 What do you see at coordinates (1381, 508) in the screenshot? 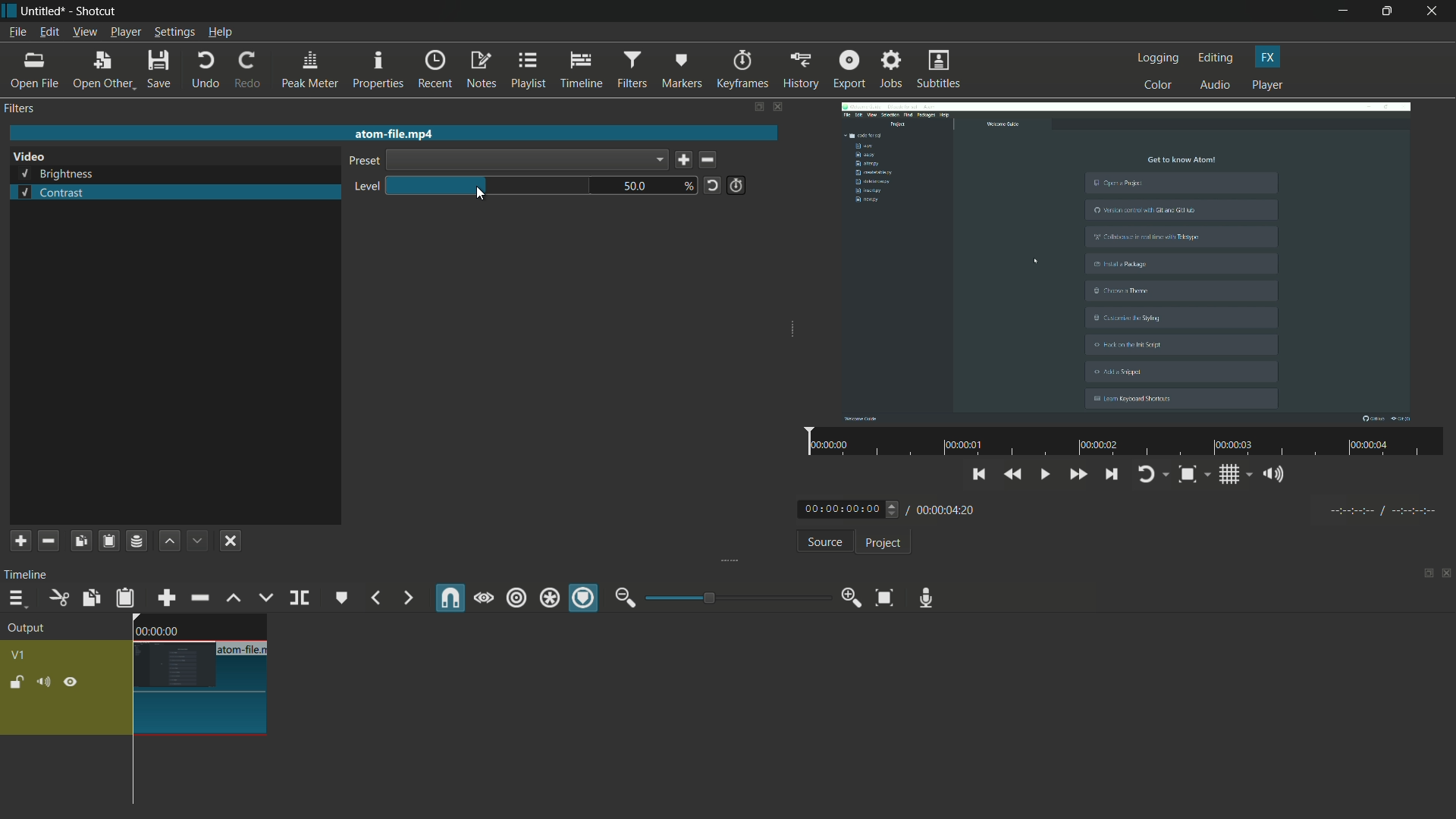
I see `timecodes` at bounding box center [1381, 508].